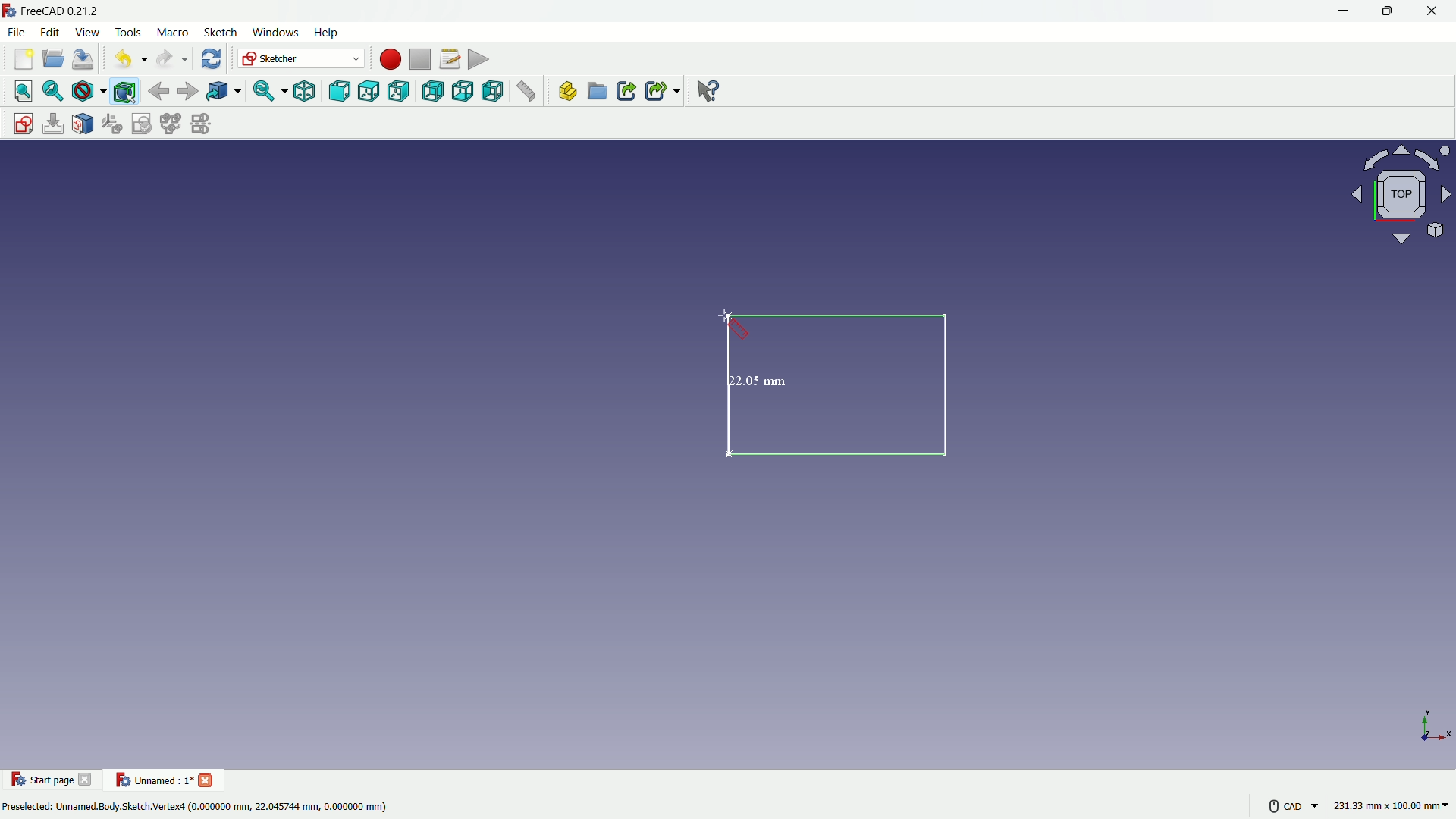  Describe the element at coordinates (328, 33) in the screenshot. I see `help menu` at that location.